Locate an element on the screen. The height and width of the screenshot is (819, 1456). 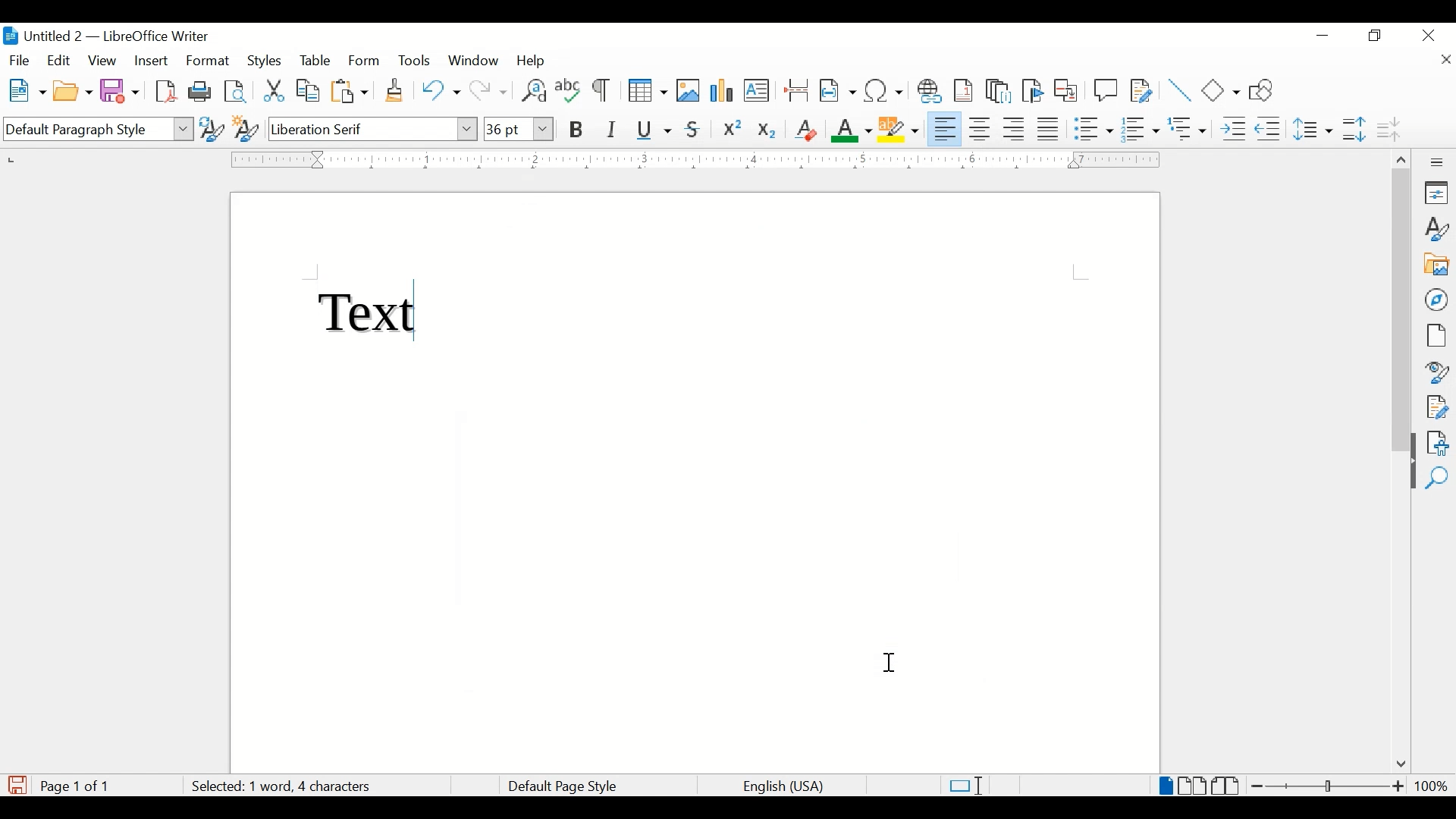
accessibility check is located at coordinates (1438, 443).